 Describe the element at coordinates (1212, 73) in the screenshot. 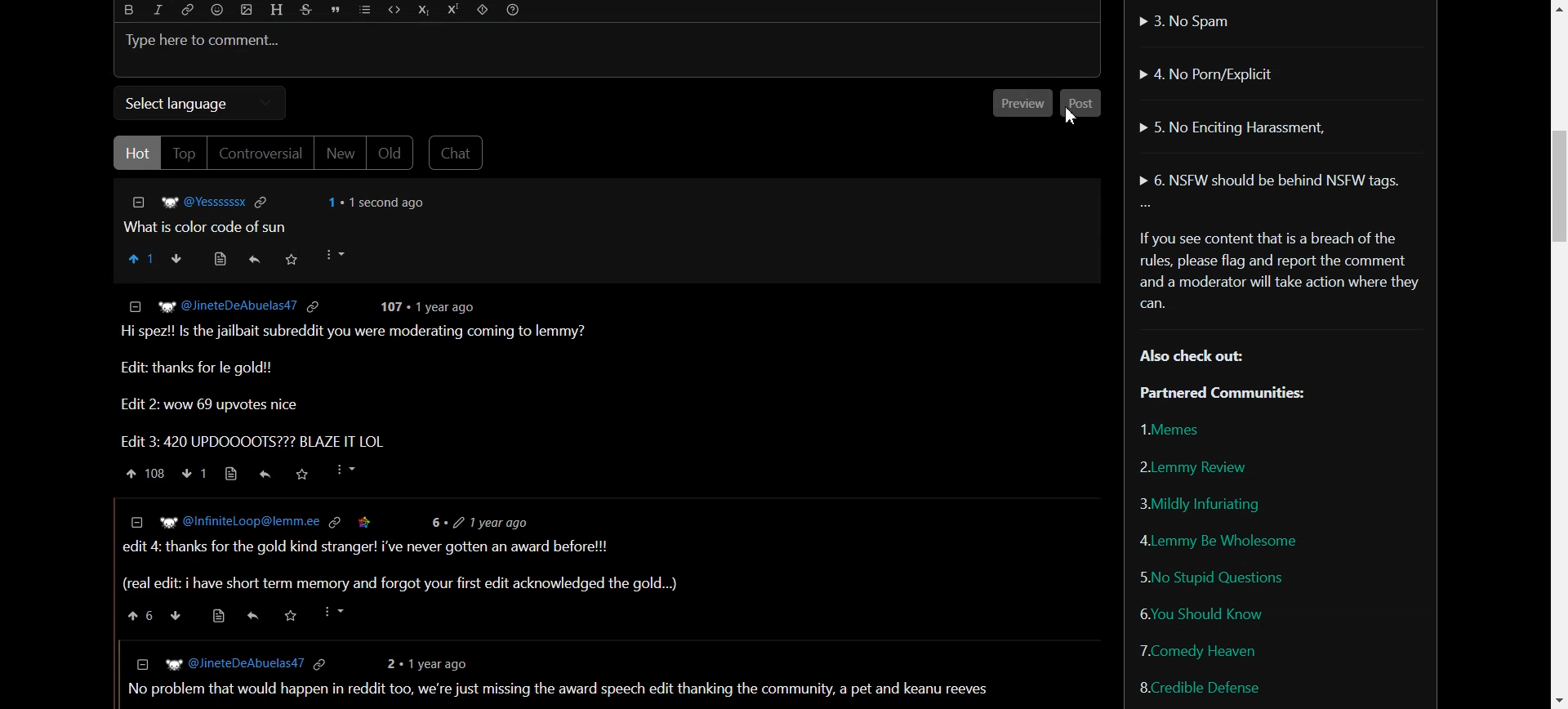

I see `No Porn/Explicit` at that location.